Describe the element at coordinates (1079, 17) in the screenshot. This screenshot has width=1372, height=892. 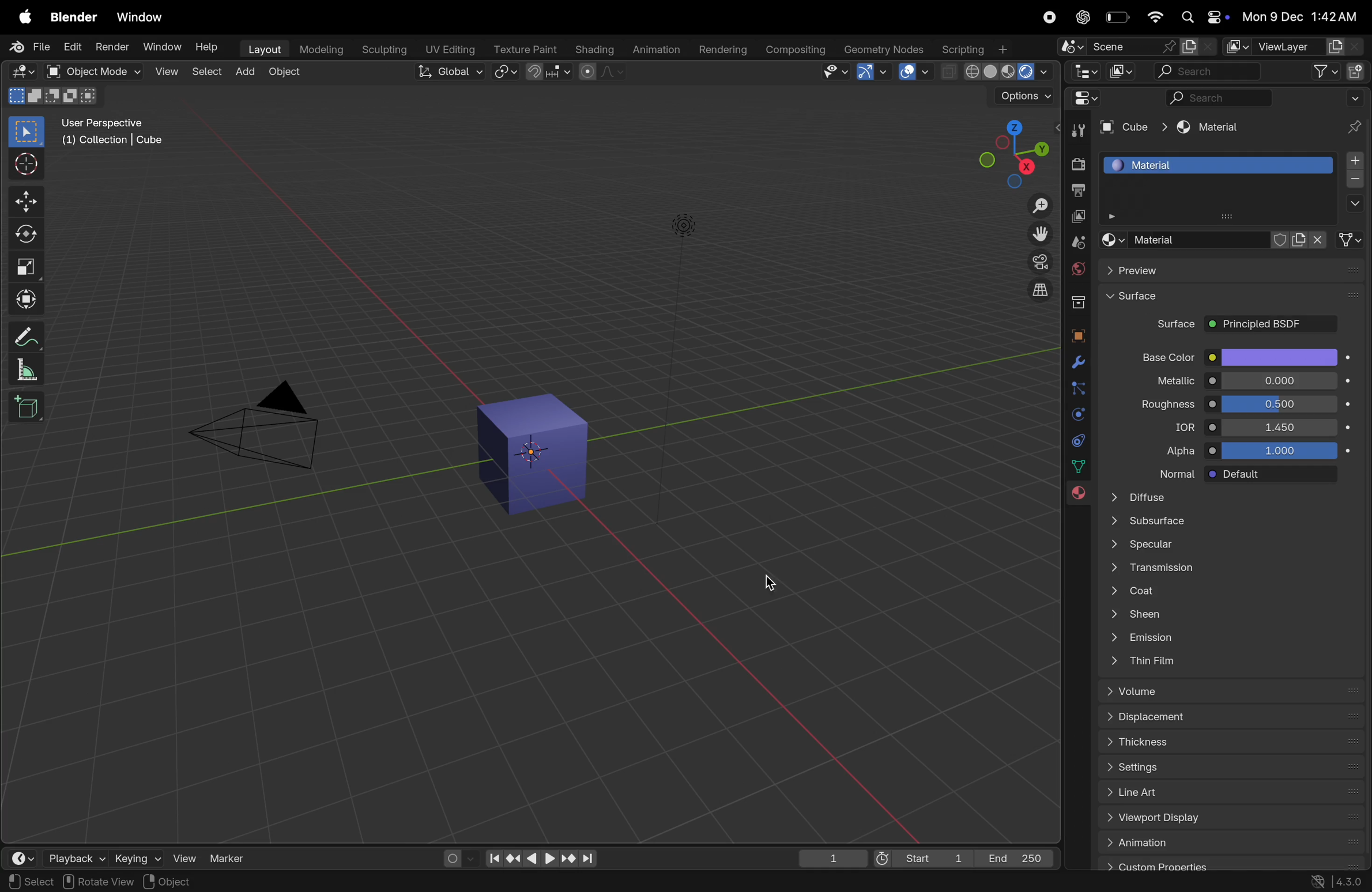
I see `chatgpt` at that location.